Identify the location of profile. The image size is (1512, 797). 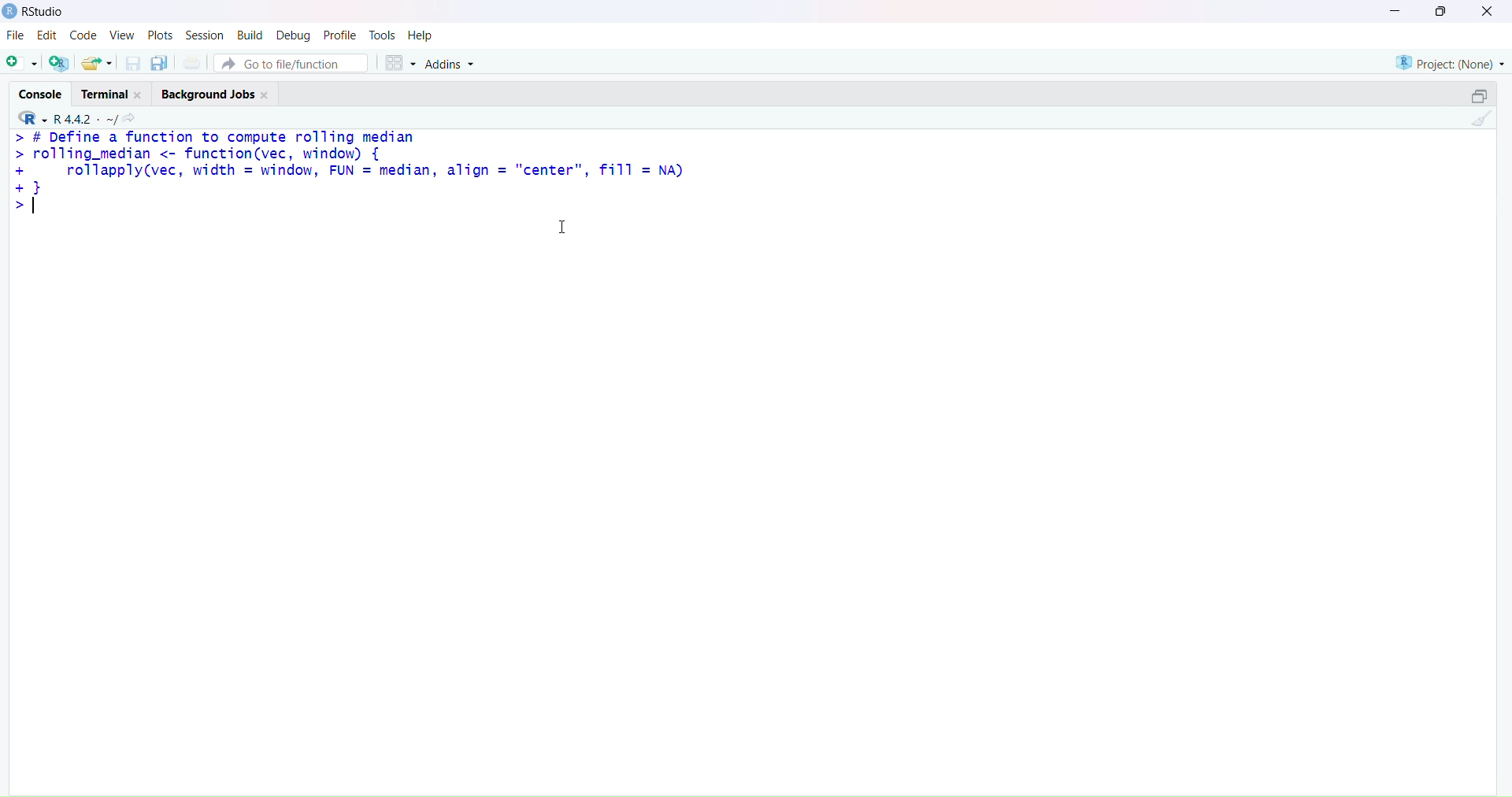
(339, 35).